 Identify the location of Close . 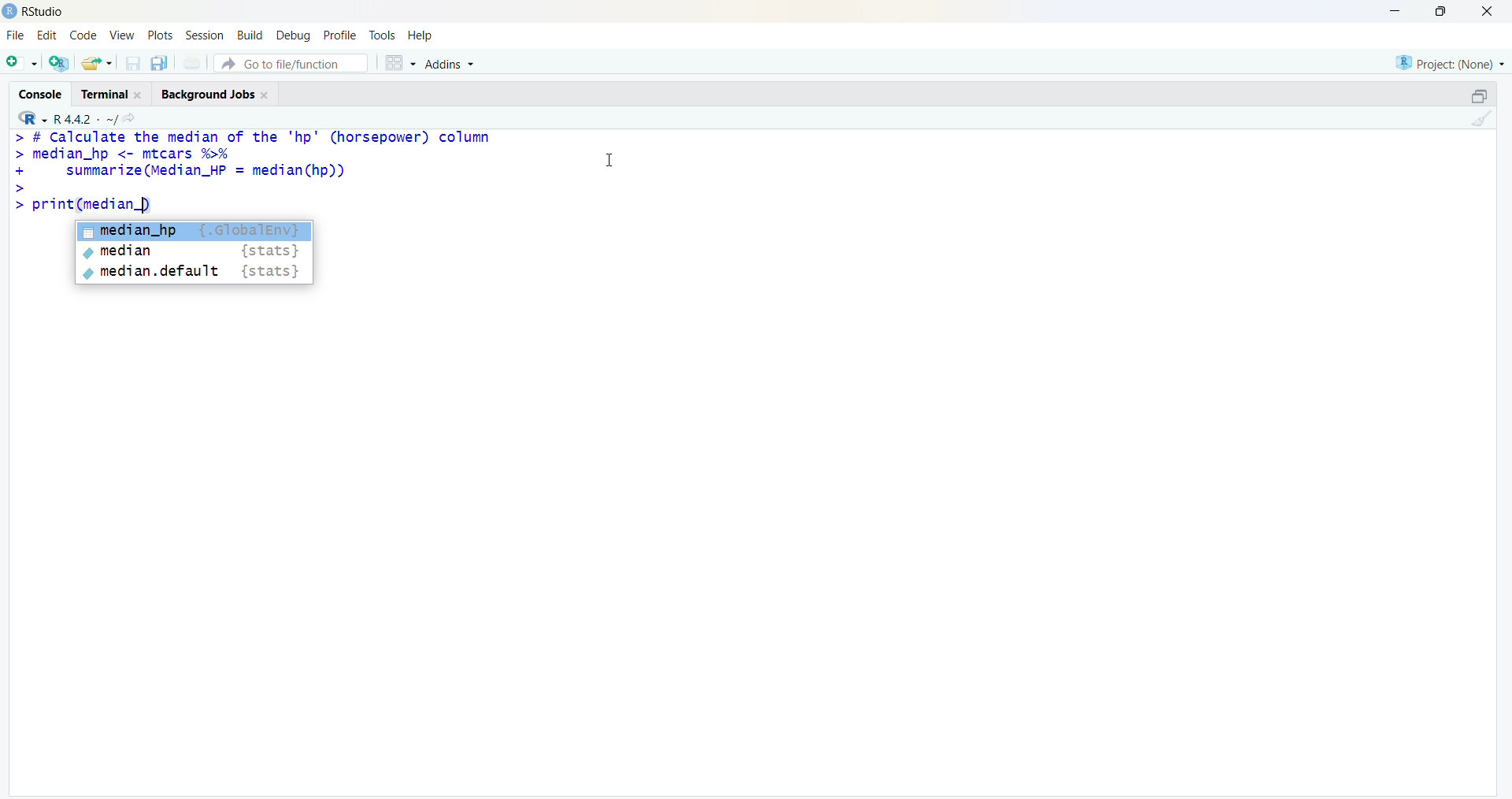
(139, 95).